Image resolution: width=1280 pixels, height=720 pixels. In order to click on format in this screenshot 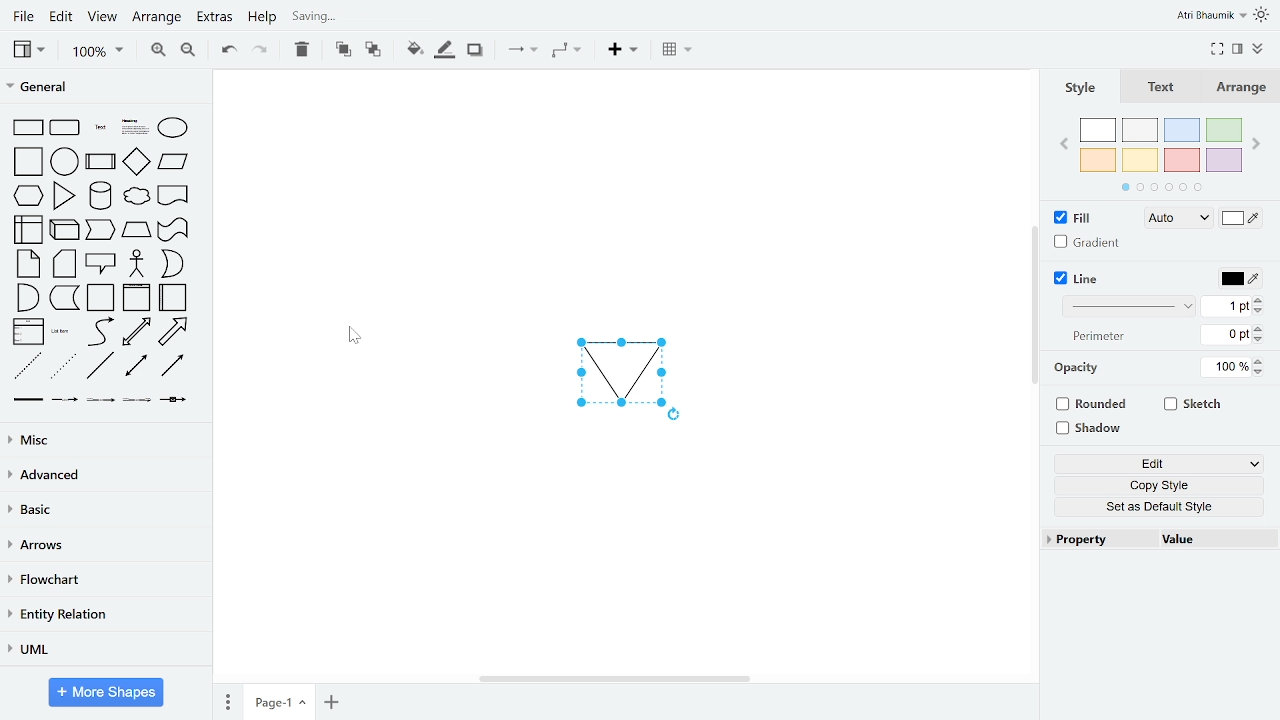, I will do `click(1237, 48)`.